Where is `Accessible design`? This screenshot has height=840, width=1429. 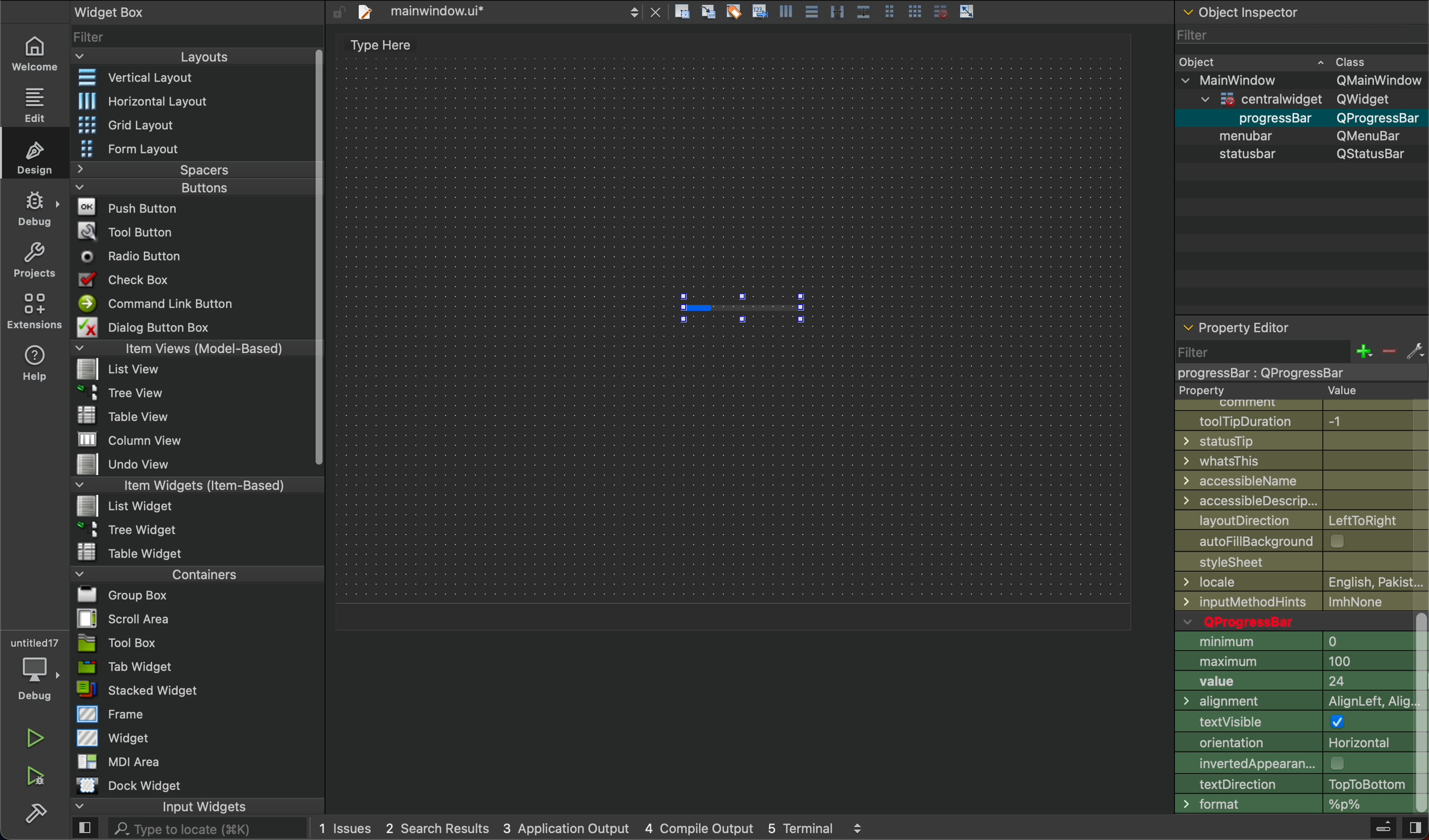 Accessible design is located at coordinates (1302, 500).